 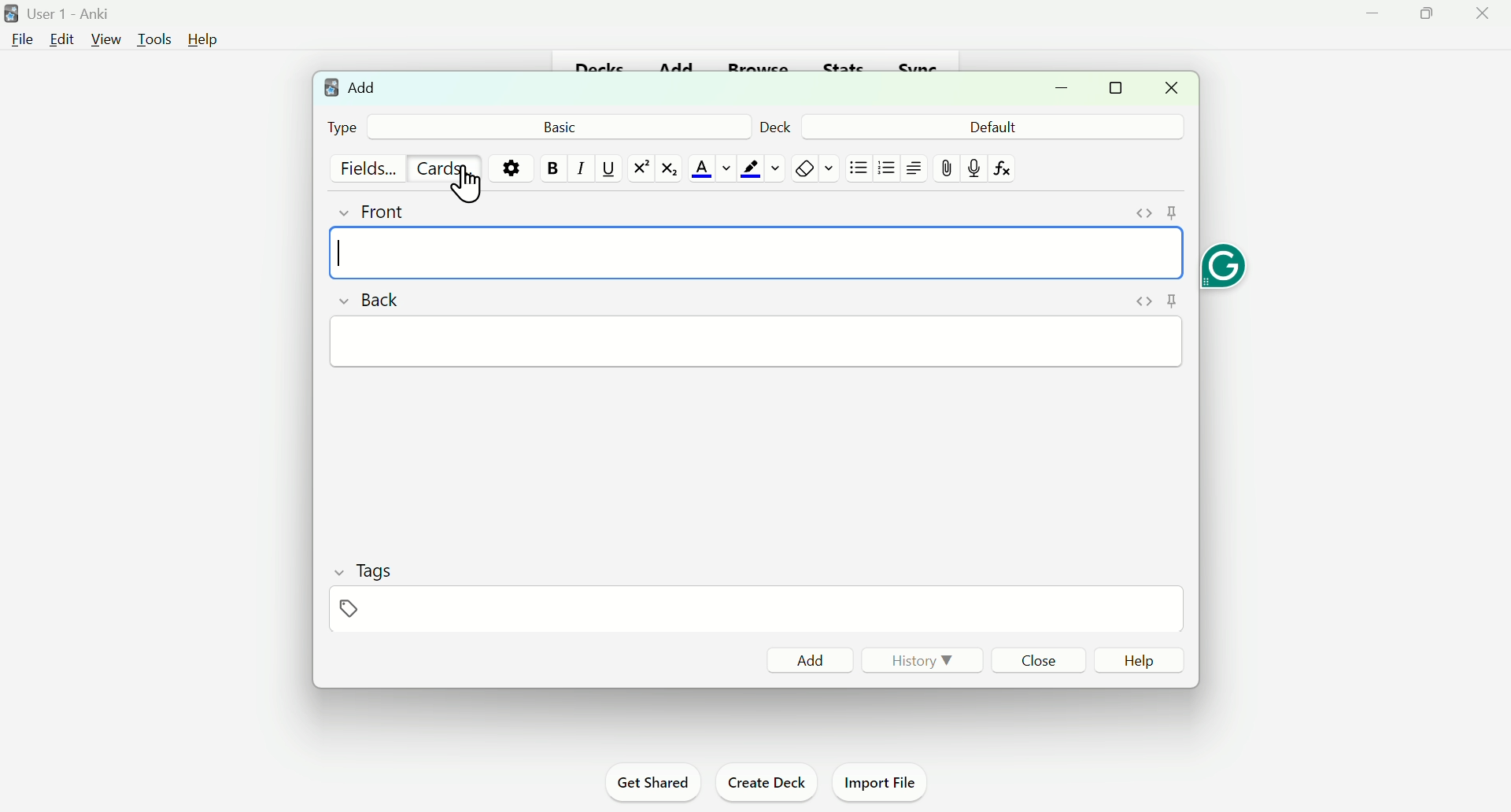 I want to click on tag icon, so click(x=351, y=608).